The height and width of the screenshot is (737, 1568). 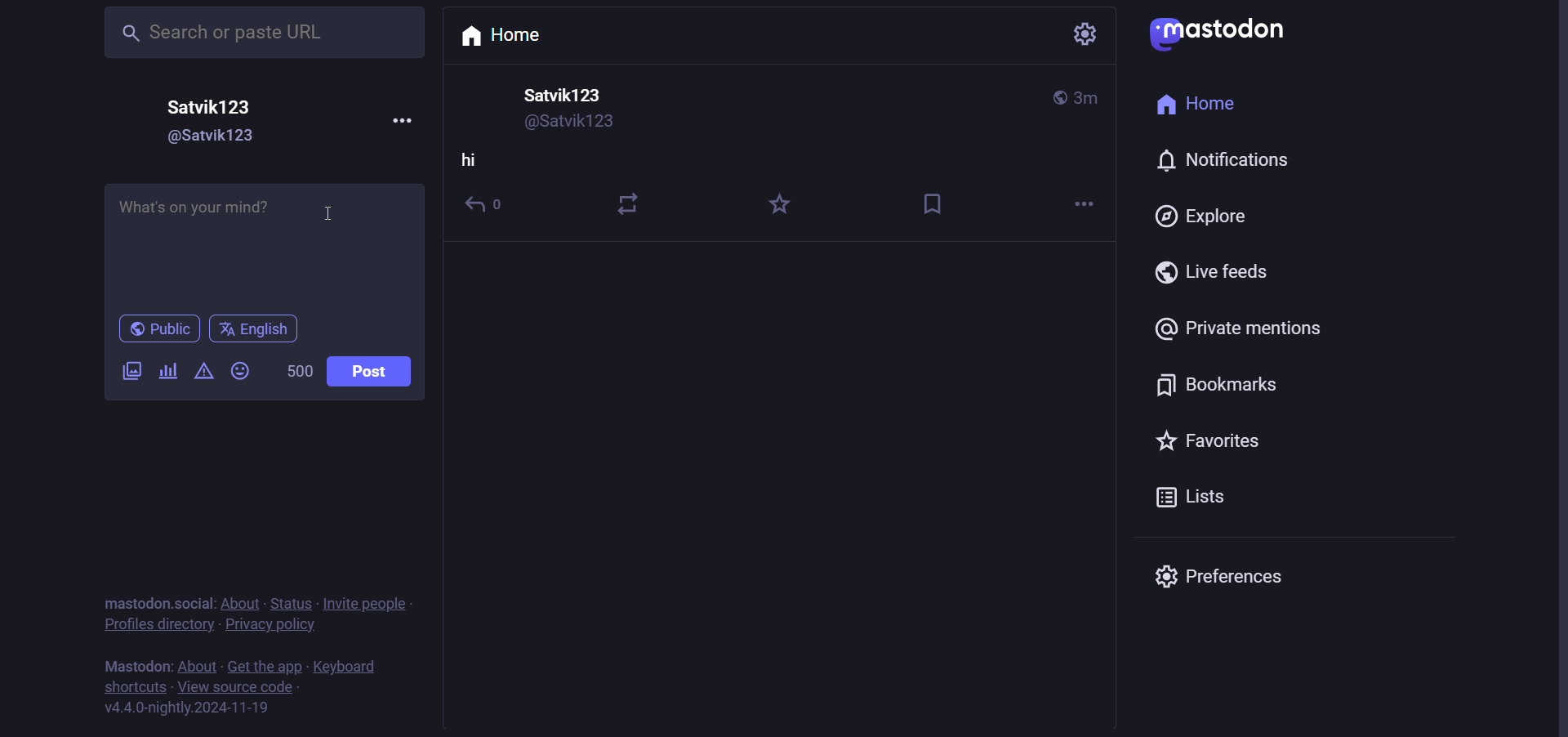 What do you see at coordinates (202, 373) in the screenshot?
I see `content warning` at bounding box center [202, 373].